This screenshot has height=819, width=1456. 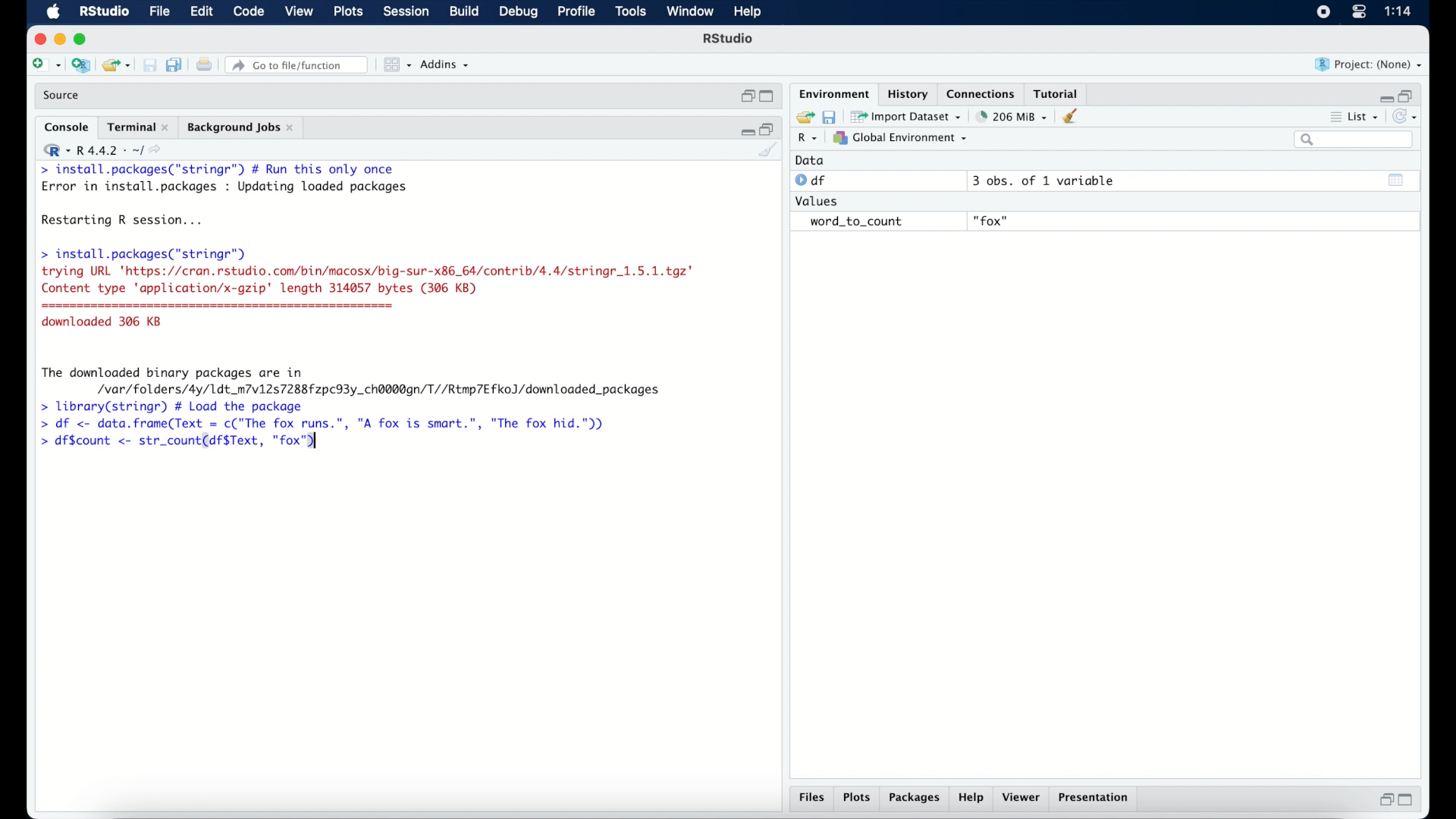 What do you see at coordinates (119, 66) in the screenshot?
I see `load existing project` at bounding box center [119, 66].